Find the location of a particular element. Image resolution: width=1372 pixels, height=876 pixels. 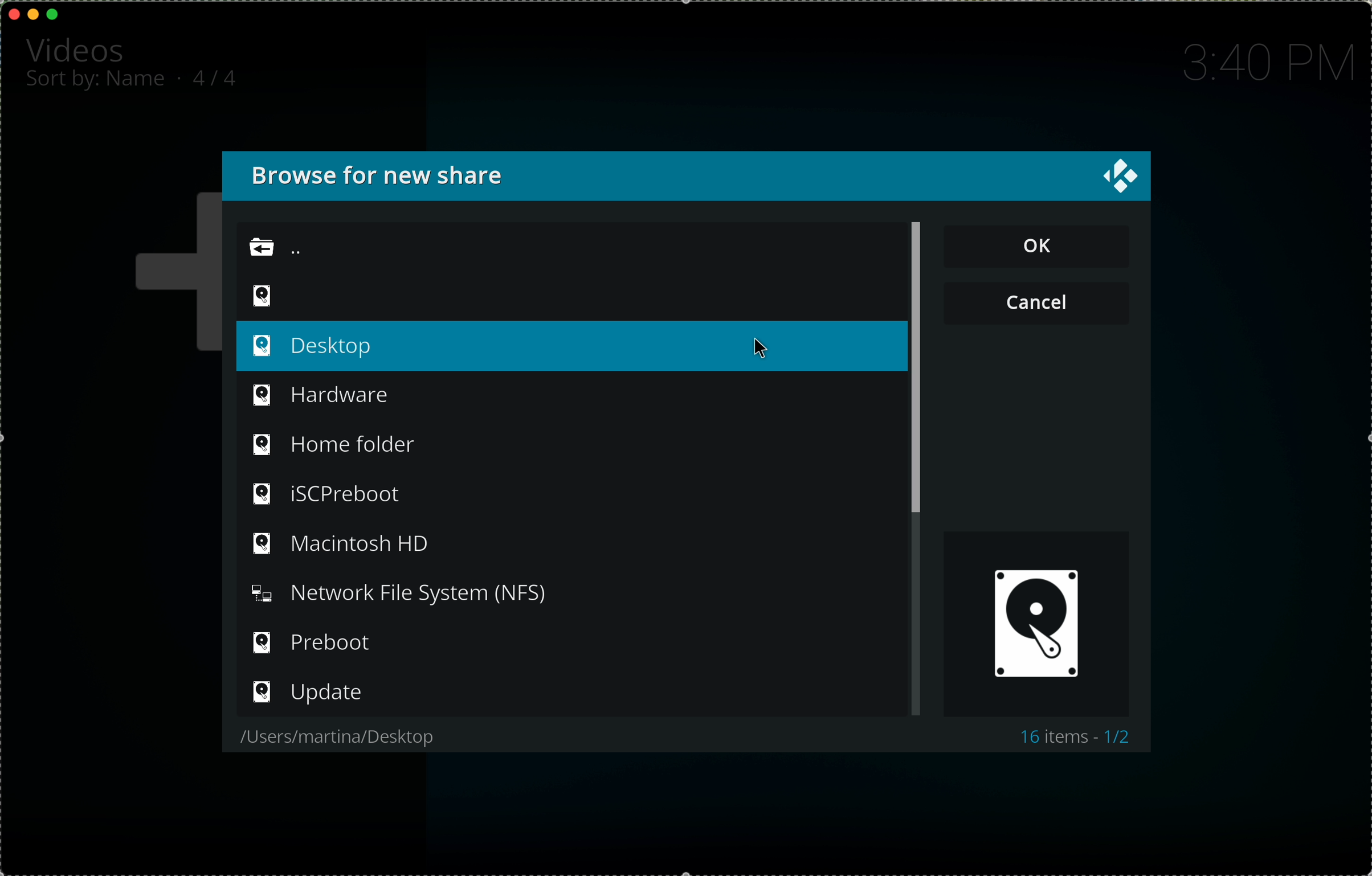

. is located at coordinates (182, 77).